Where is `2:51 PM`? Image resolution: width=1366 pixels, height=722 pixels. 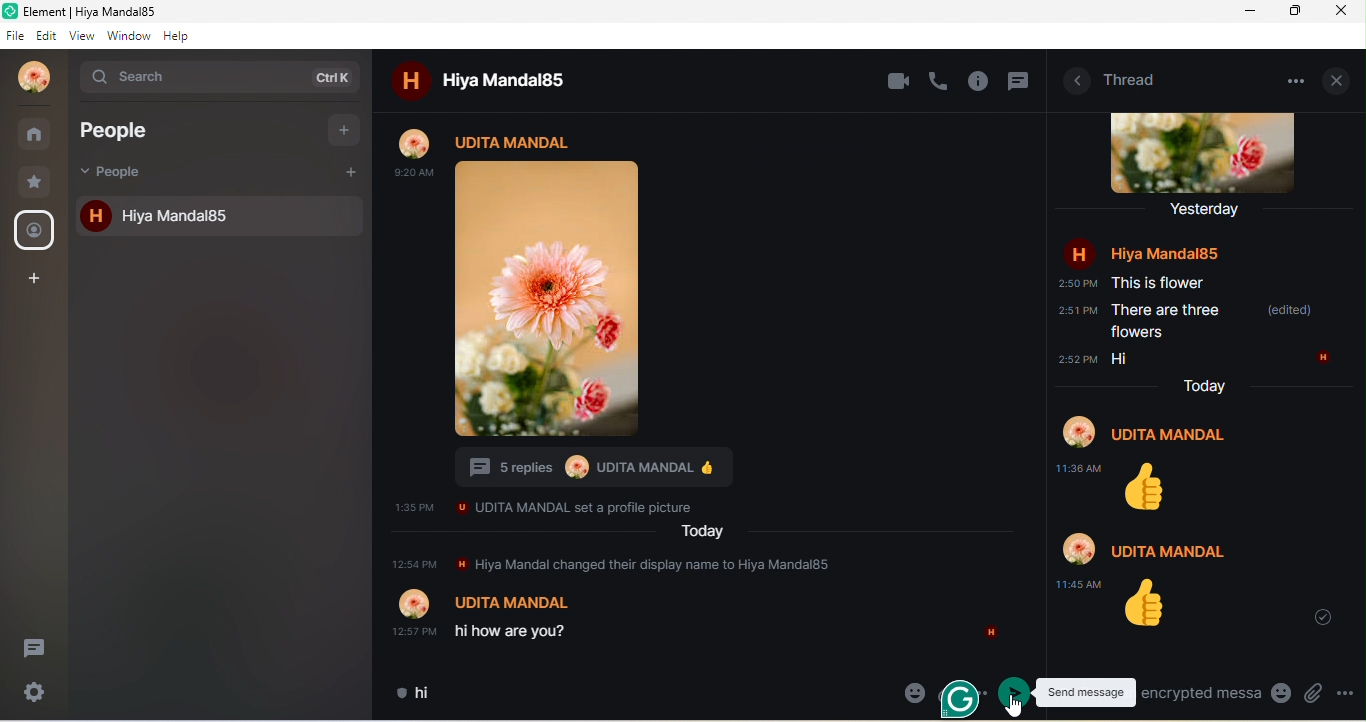 2:51 PM is located at coordinates (1075, 311).